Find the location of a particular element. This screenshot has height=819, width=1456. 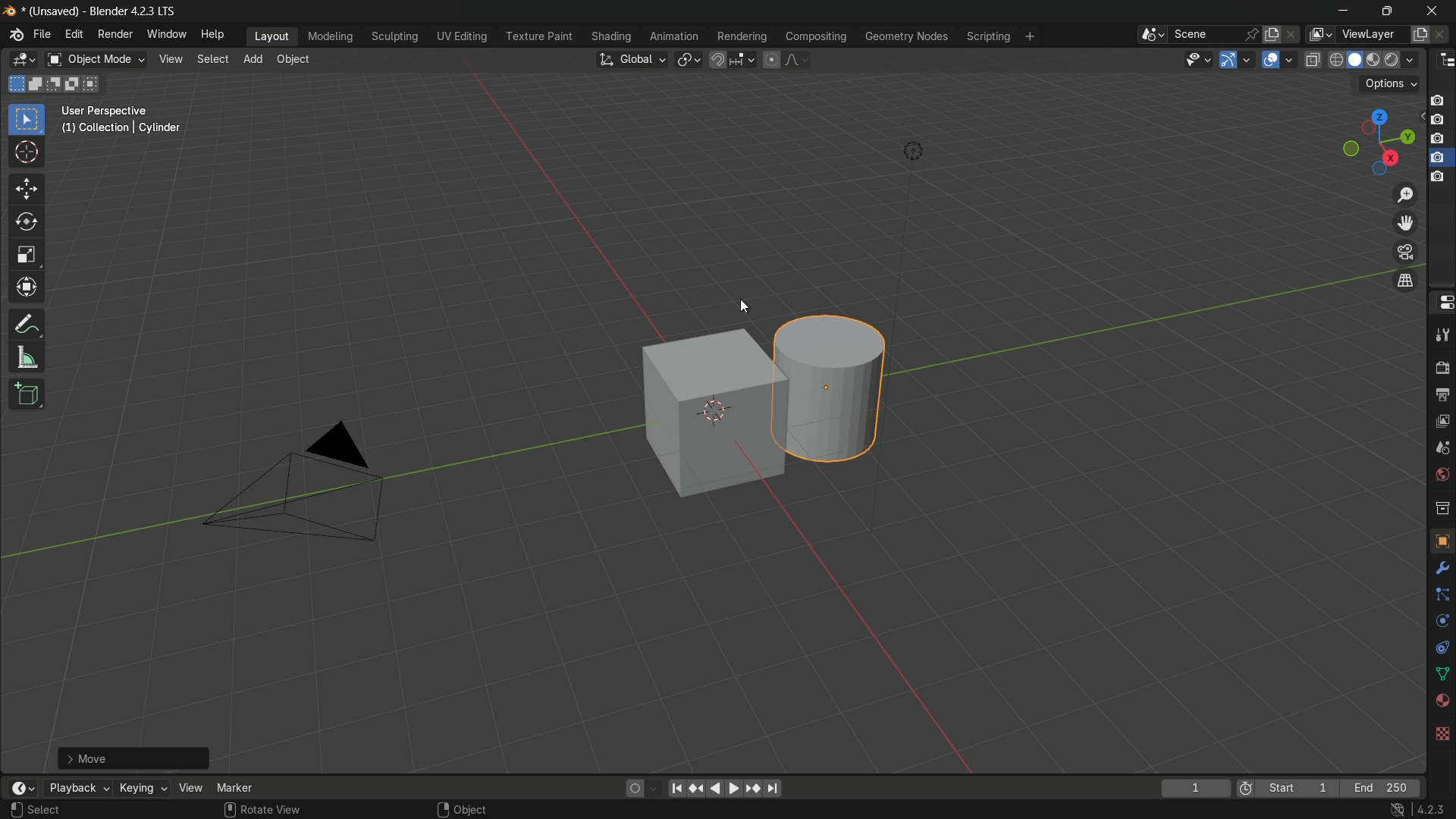

view is located at coordinates (171, 59).